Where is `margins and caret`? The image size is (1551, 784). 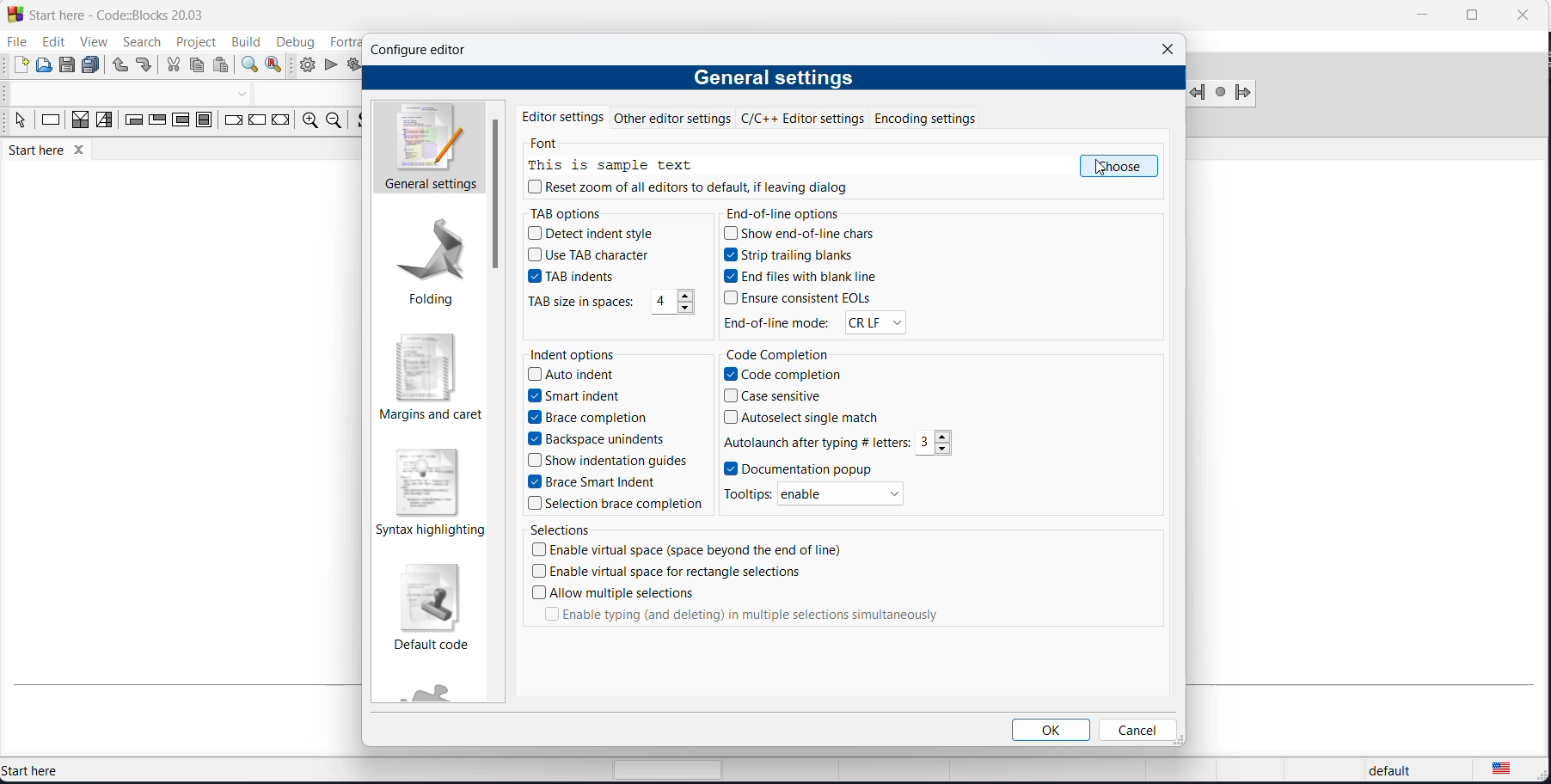
margins and caret is located at coordinates (428, 380).